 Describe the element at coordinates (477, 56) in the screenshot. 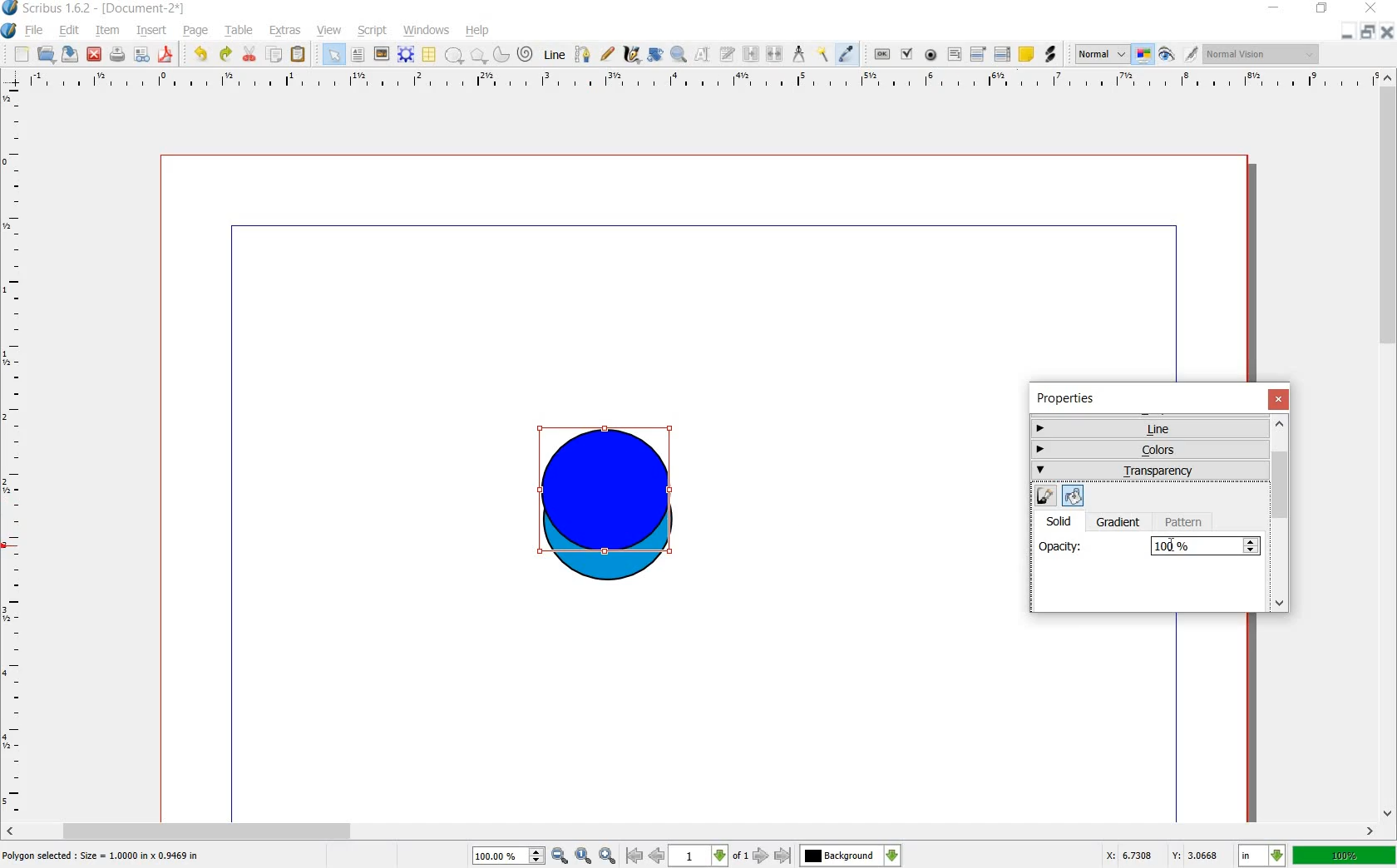

I see `polygon` at that location.